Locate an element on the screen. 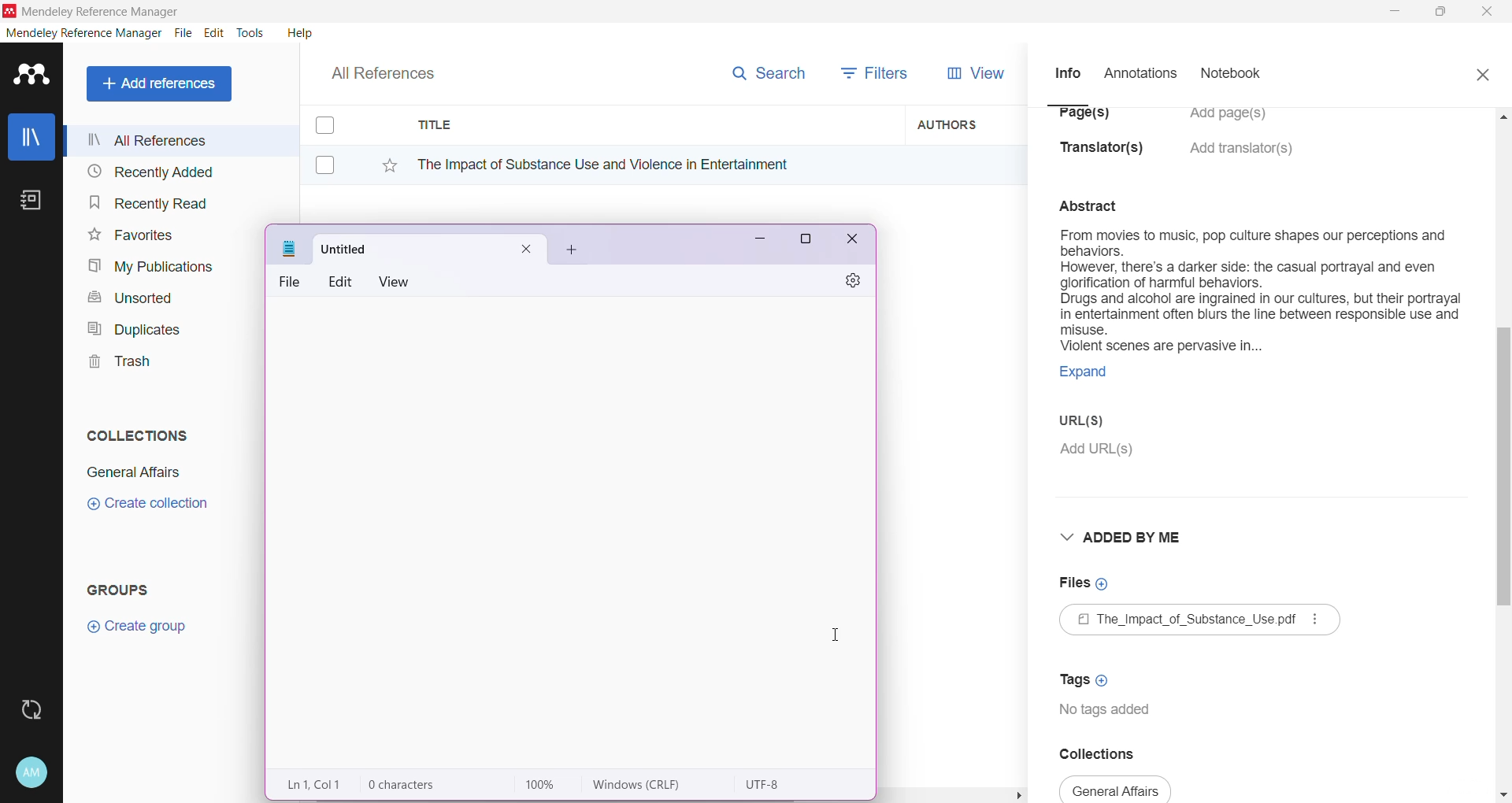 The height and width of the screenshot is (803, 1512). Library is located at coordinates (31, 139).